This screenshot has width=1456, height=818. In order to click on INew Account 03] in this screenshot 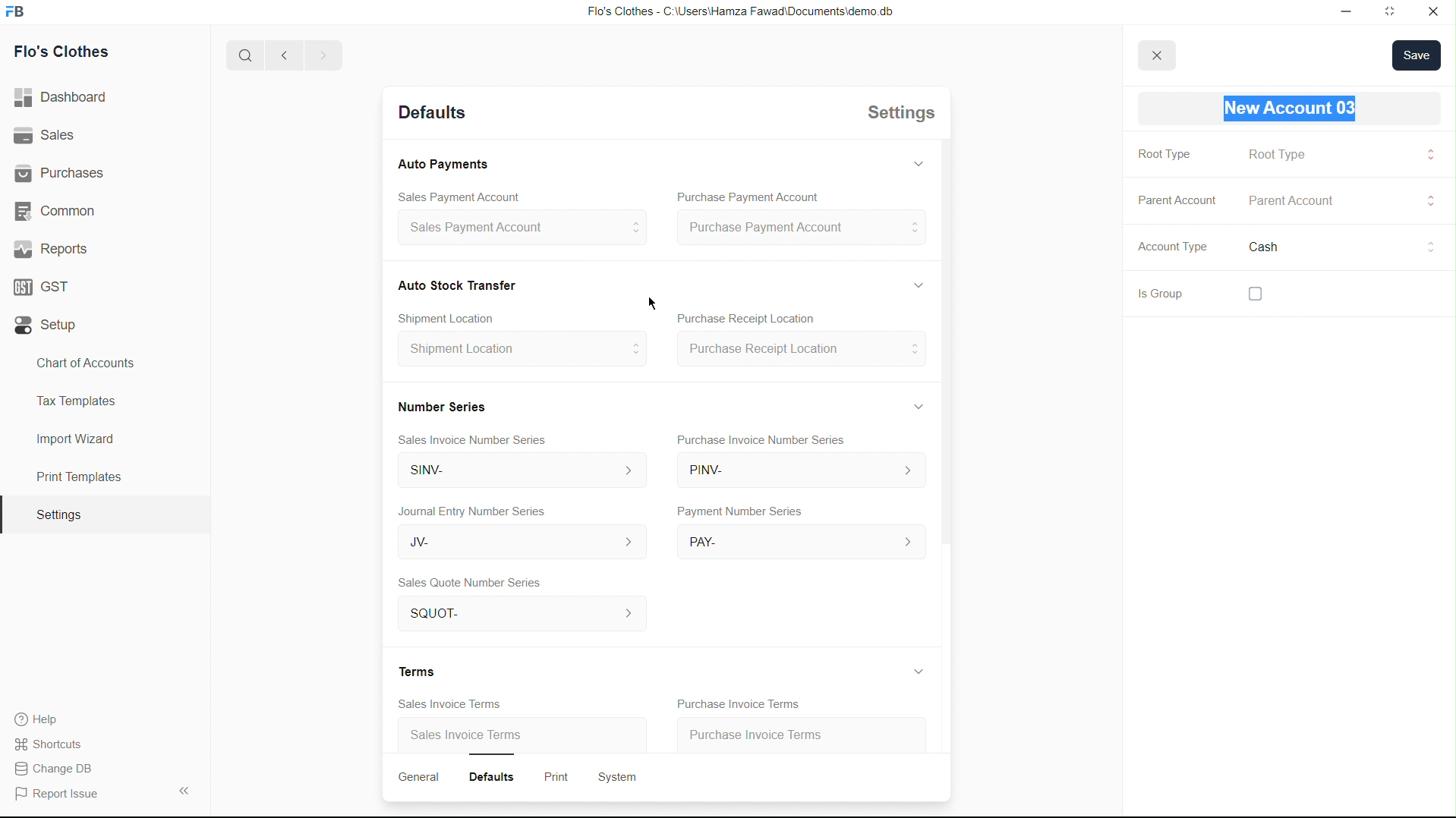, I will do `click(1294, 109)`.